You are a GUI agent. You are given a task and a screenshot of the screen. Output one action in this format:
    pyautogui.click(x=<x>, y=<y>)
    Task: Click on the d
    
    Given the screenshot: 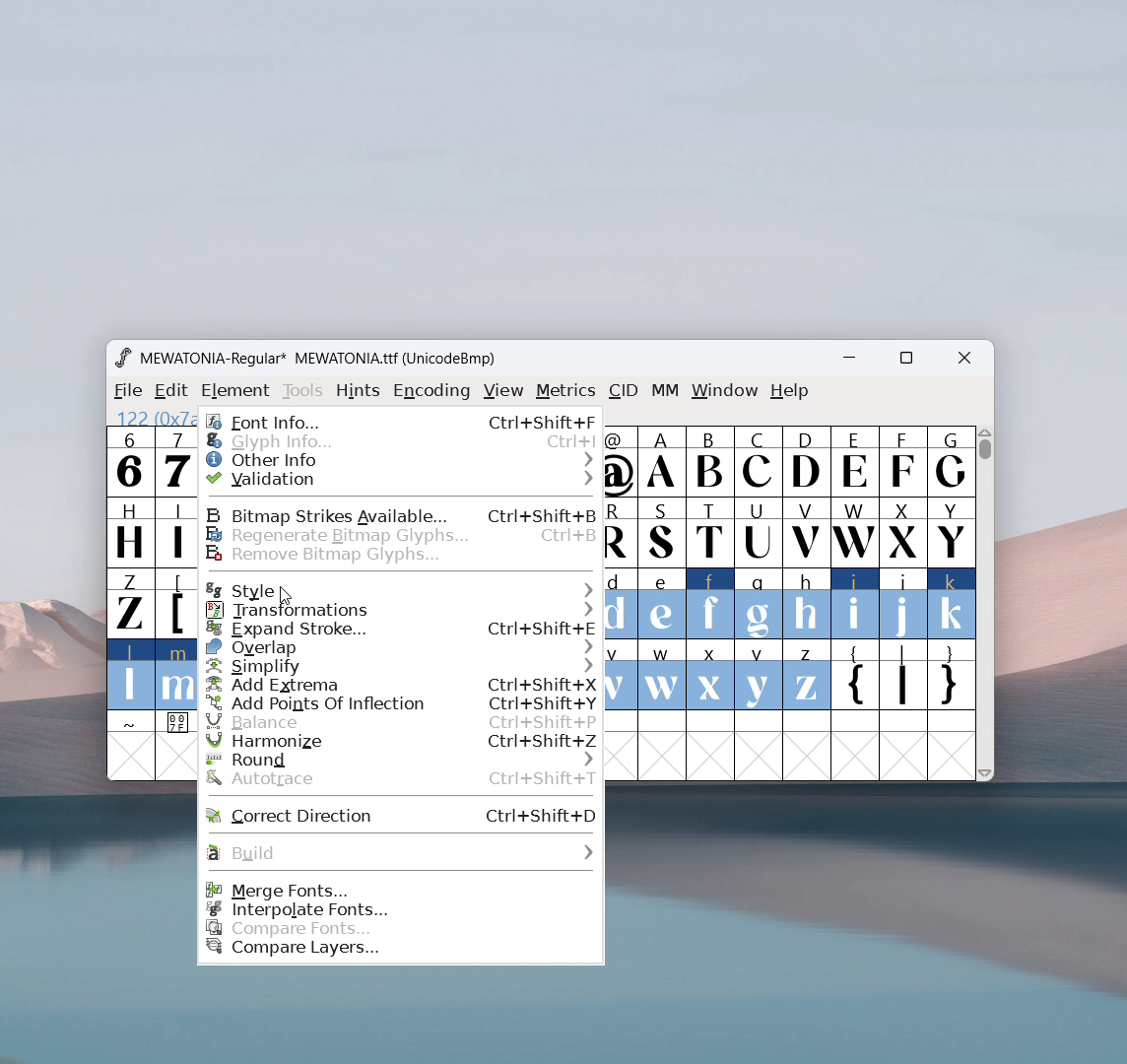 What is the action you would take?
    pyautogui.click(x=622, y=604)
    